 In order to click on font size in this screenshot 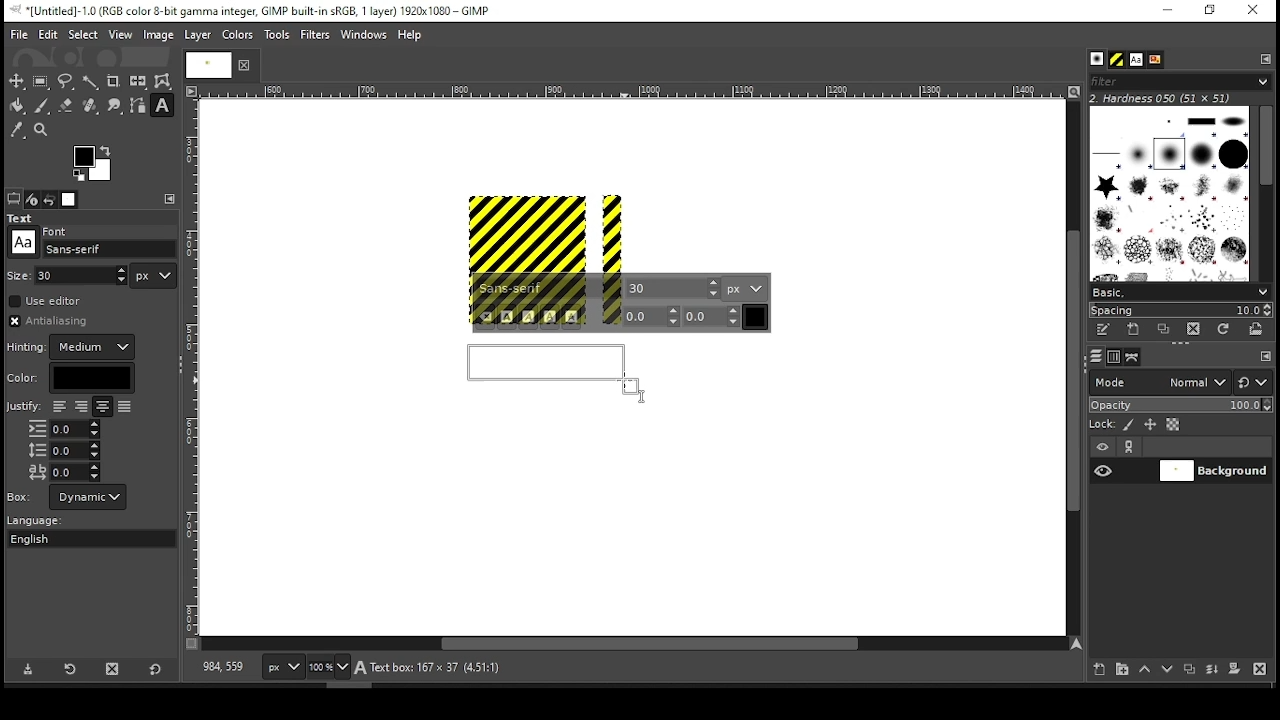, I will do `click(83, 275)`.